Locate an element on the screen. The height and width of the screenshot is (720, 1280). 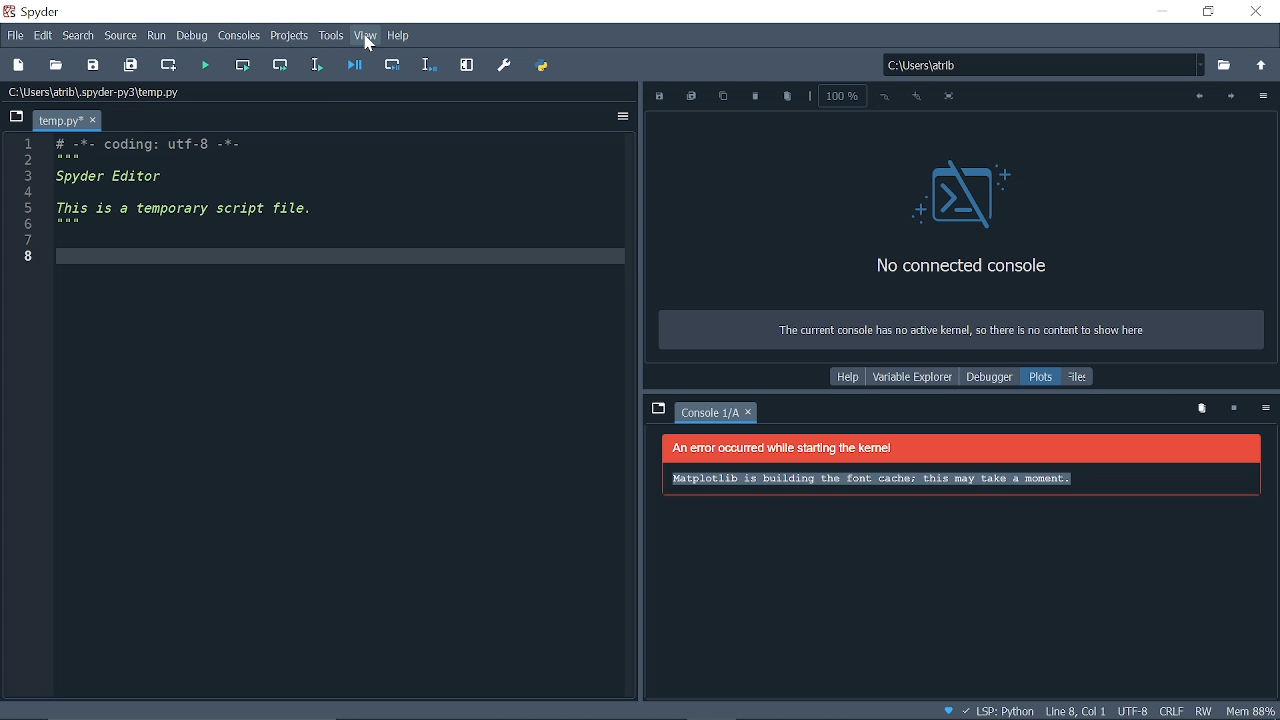
Locations options is located at coordinates (1202, 65).